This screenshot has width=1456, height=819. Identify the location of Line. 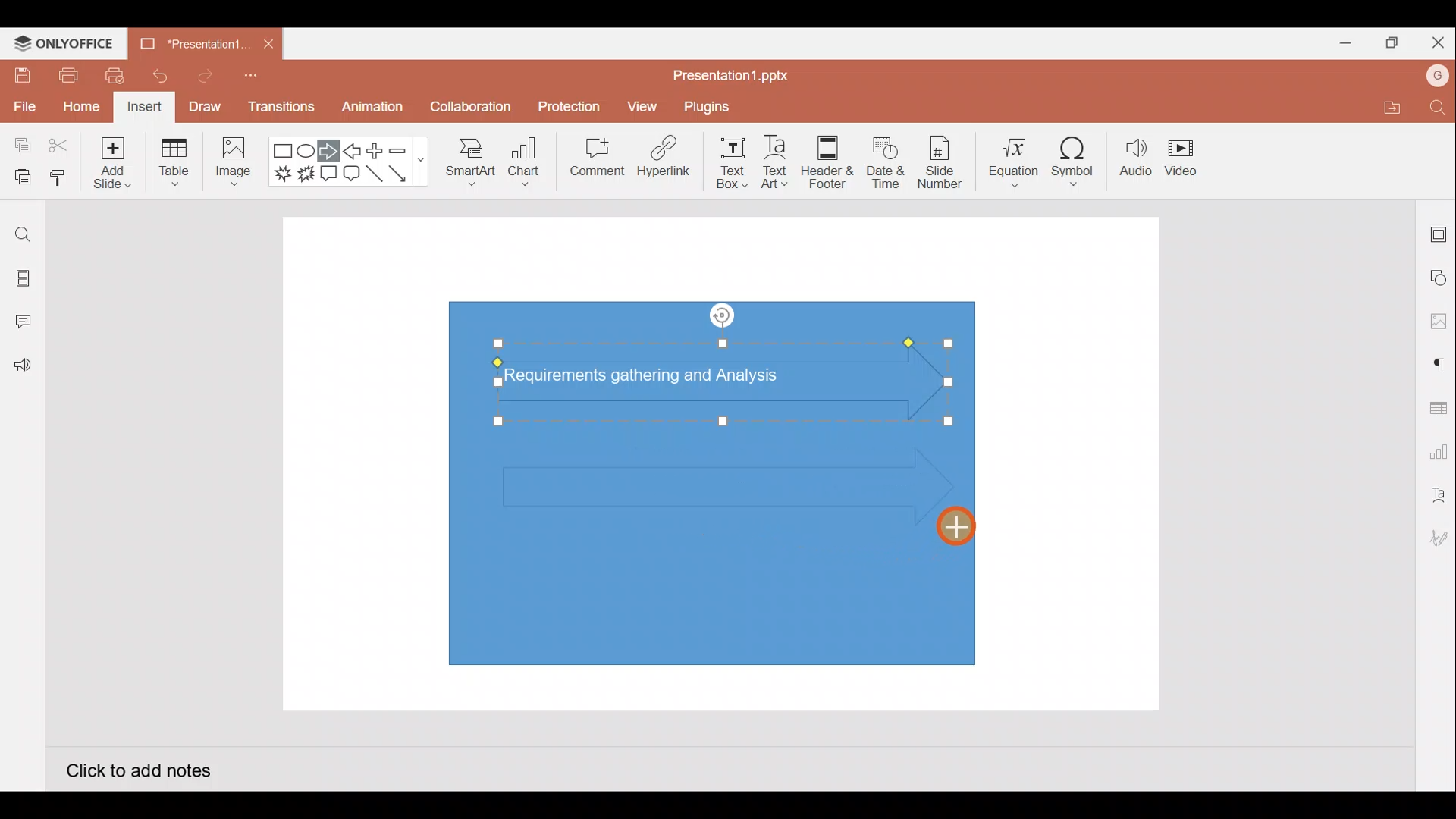
(376, 178).